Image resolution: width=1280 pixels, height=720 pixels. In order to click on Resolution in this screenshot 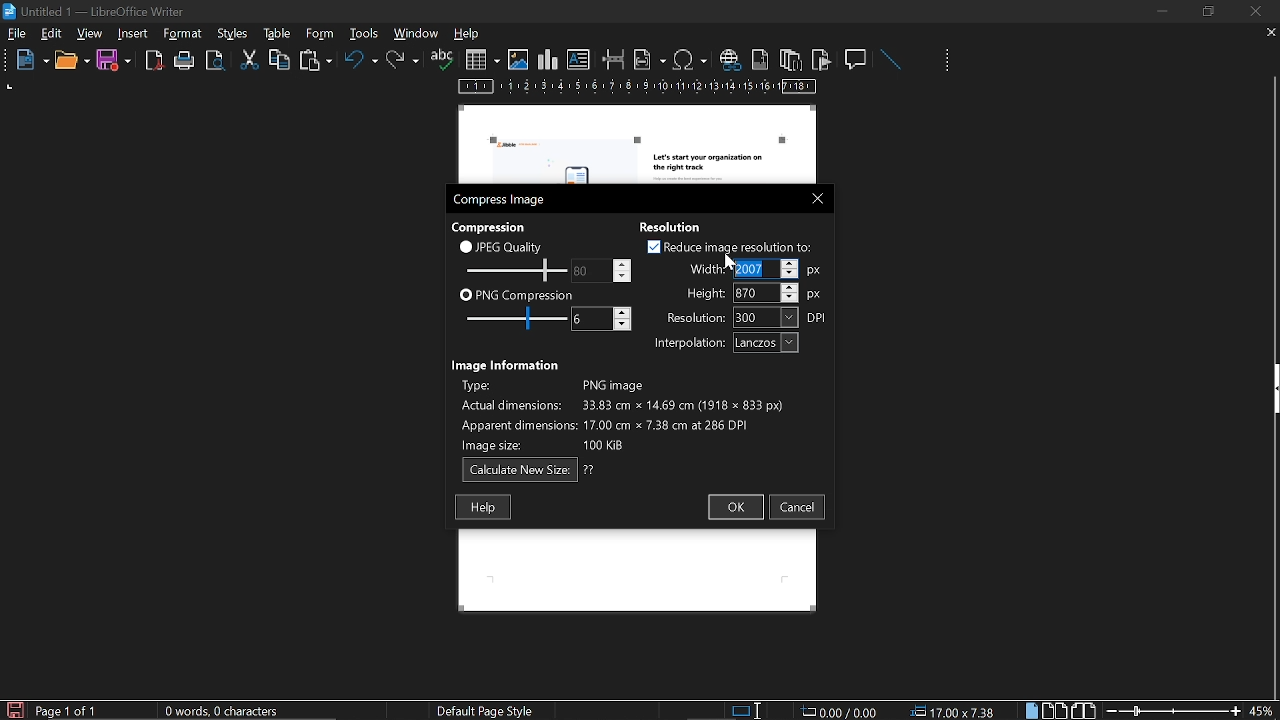, I will do `click(677, 225)`.